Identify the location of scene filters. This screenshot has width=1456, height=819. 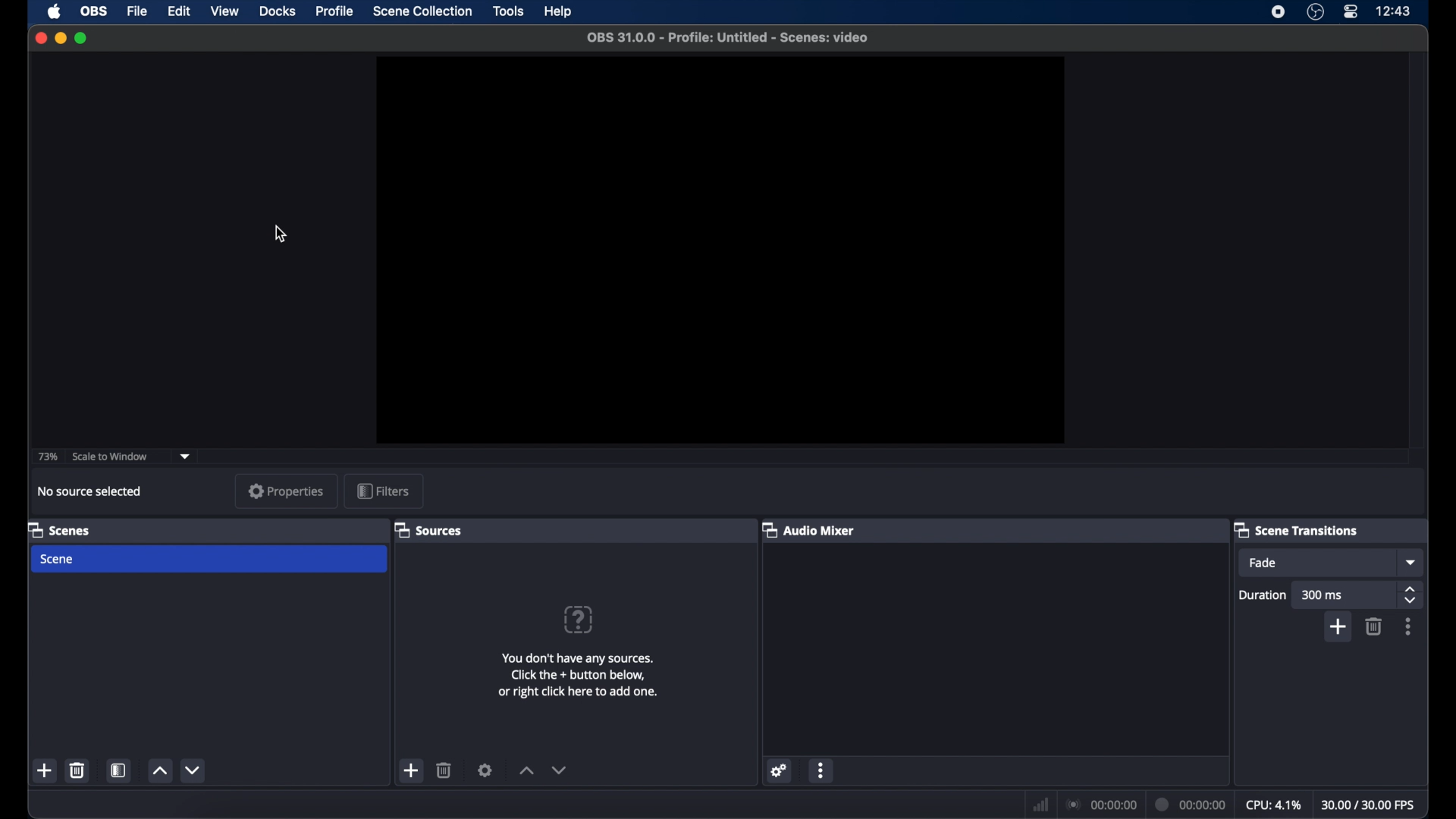
(119, 770).